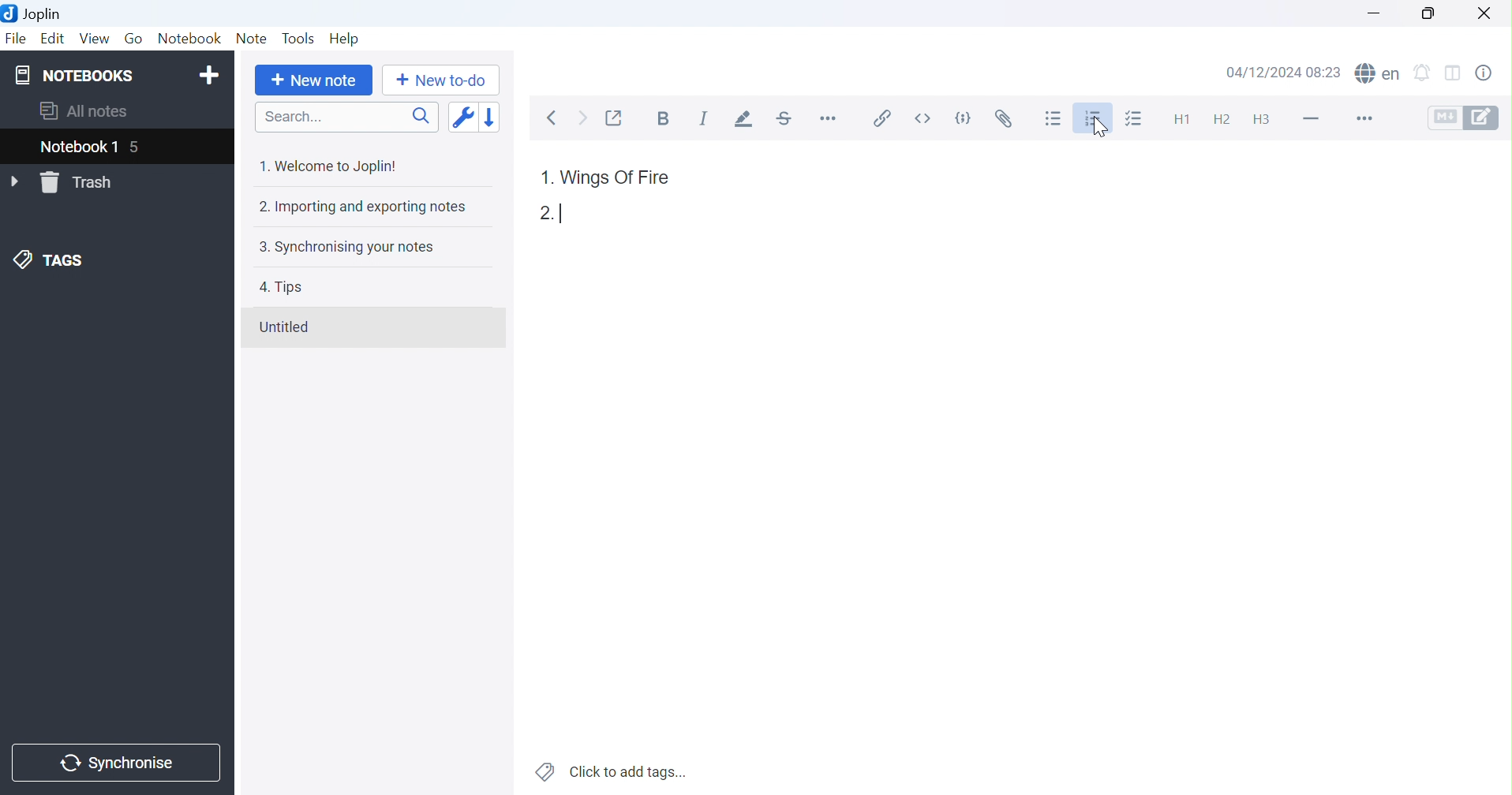 This screenshot has width=1512, height=795. I want to click on Trash, so click(80, 183).